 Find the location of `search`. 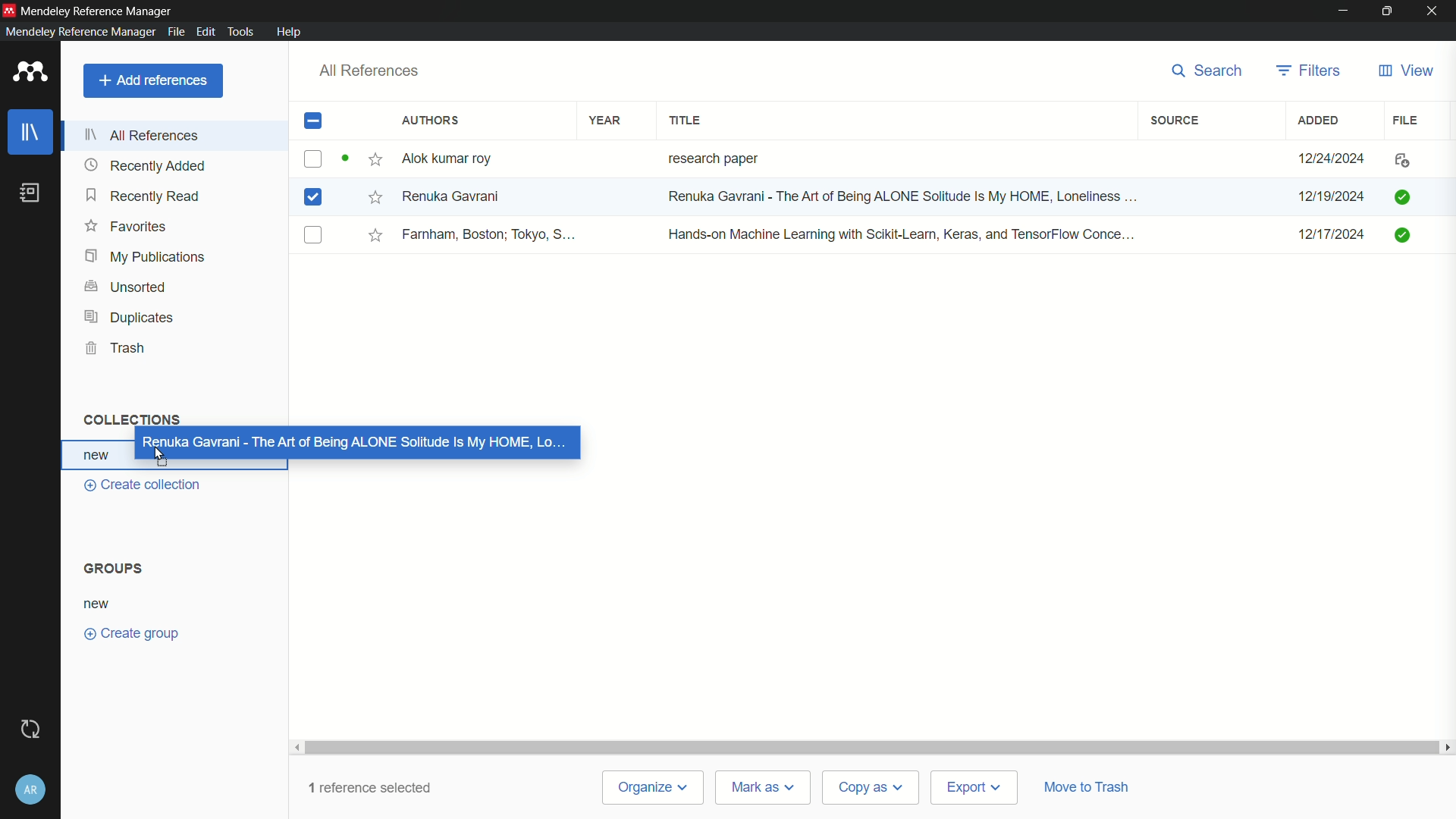

search is located at coordinates (1210, 71).